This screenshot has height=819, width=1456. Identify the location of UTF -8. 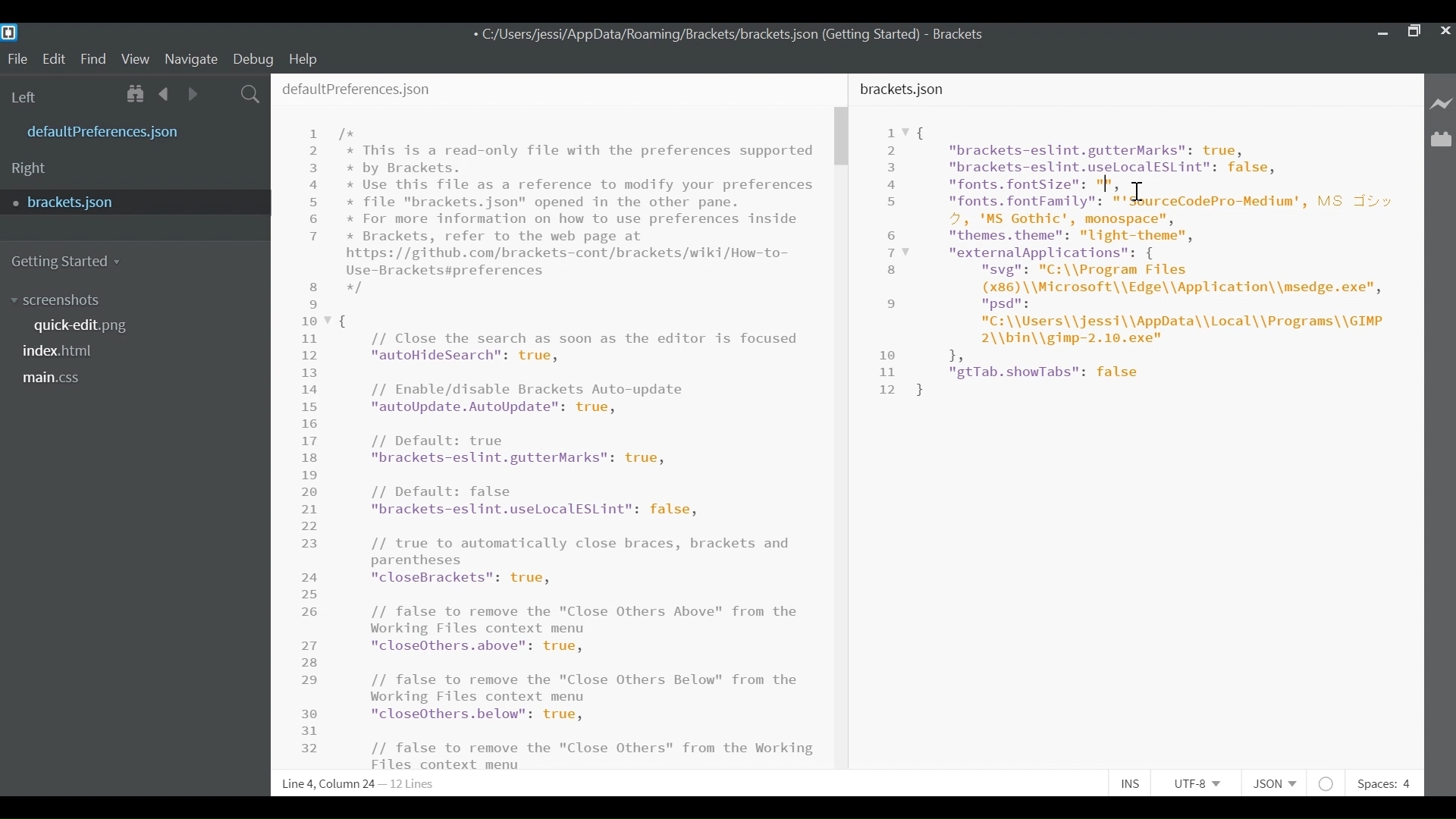
(1203, 783).